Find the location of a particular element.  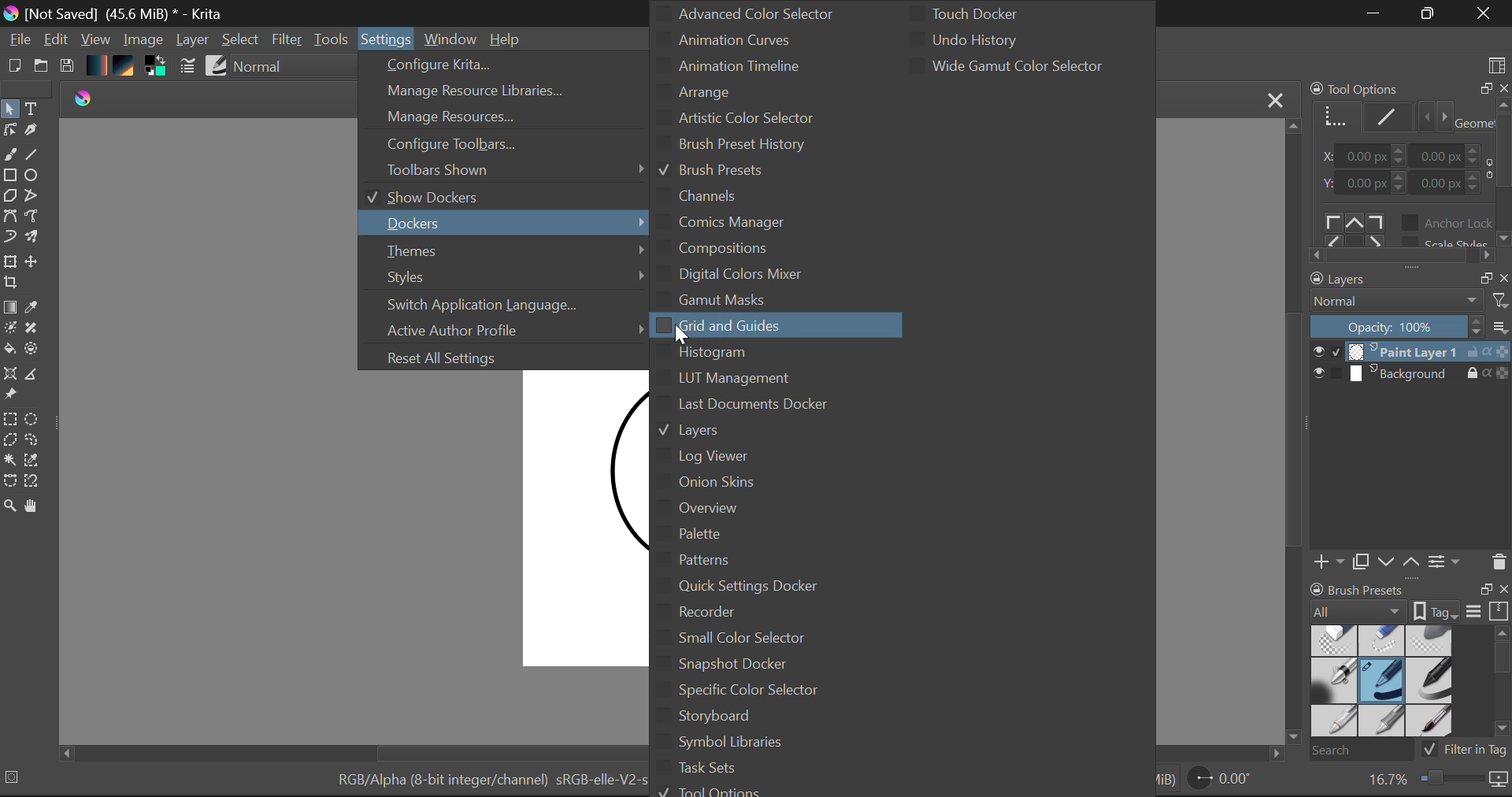

Undo History is located at coordinates (1010, 38).